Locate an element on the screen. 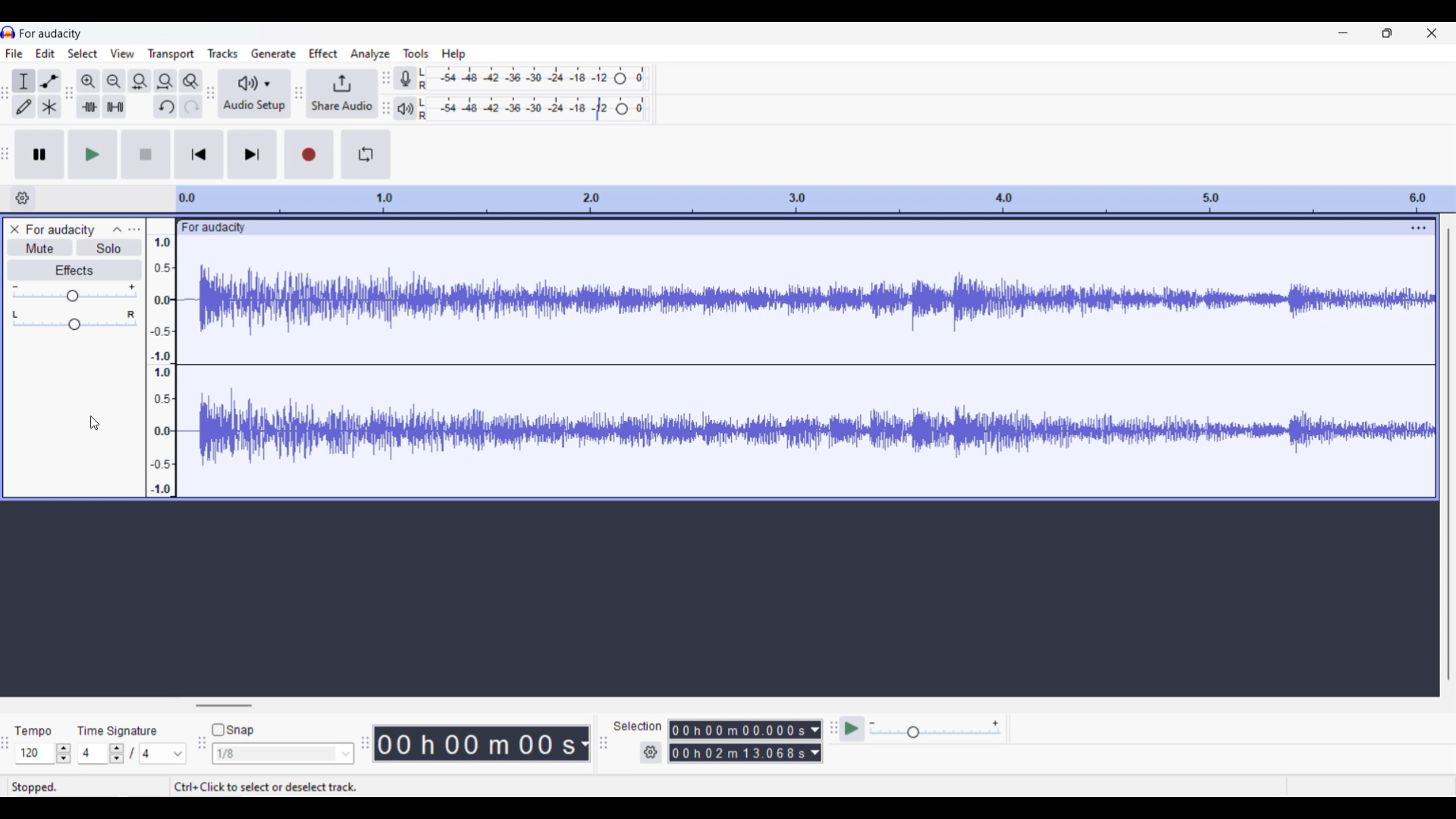  Tracks is located at coordinates (222, 53).